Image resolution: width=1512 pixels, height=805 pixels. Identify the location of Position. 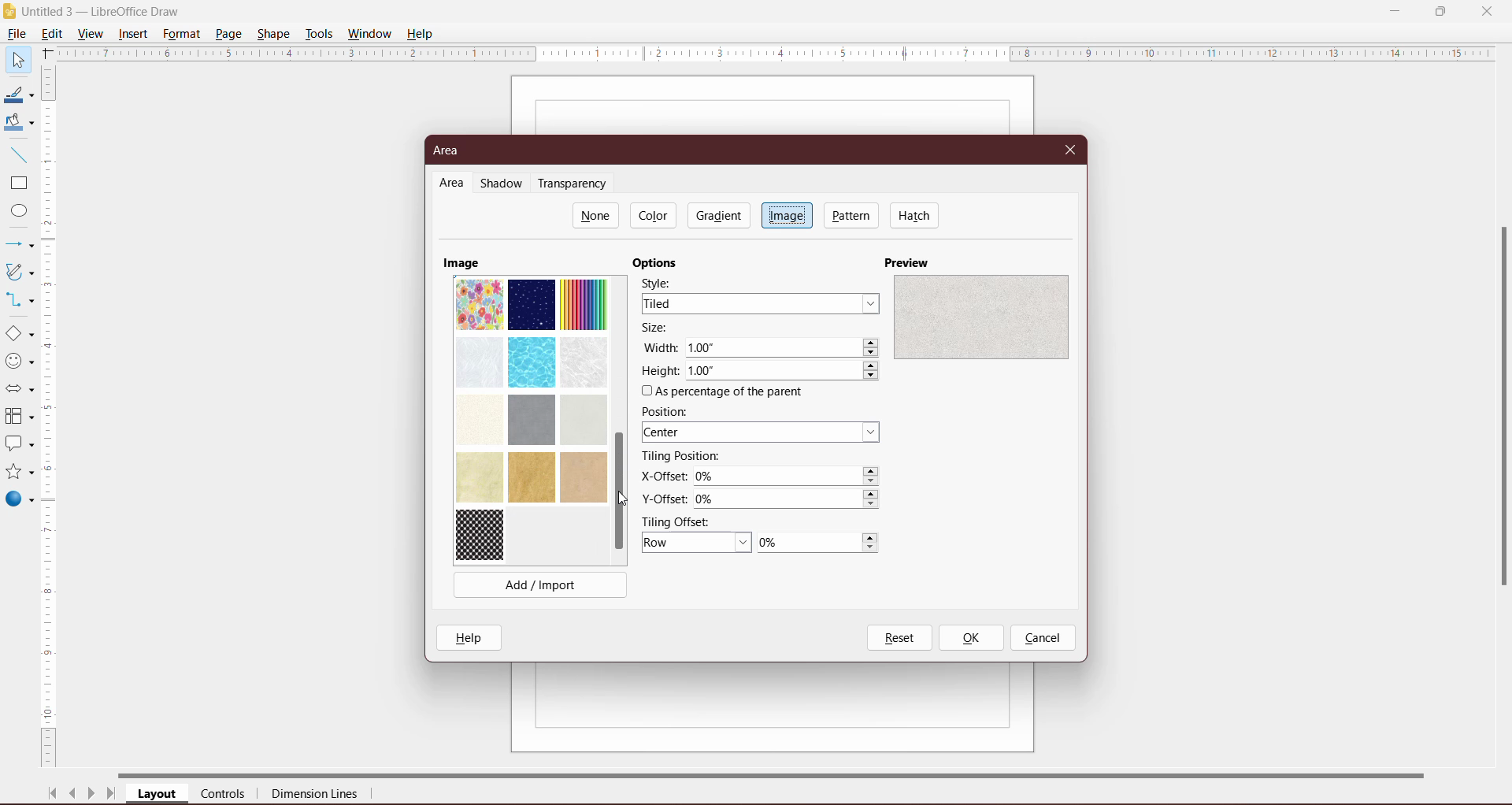
(669, 411).